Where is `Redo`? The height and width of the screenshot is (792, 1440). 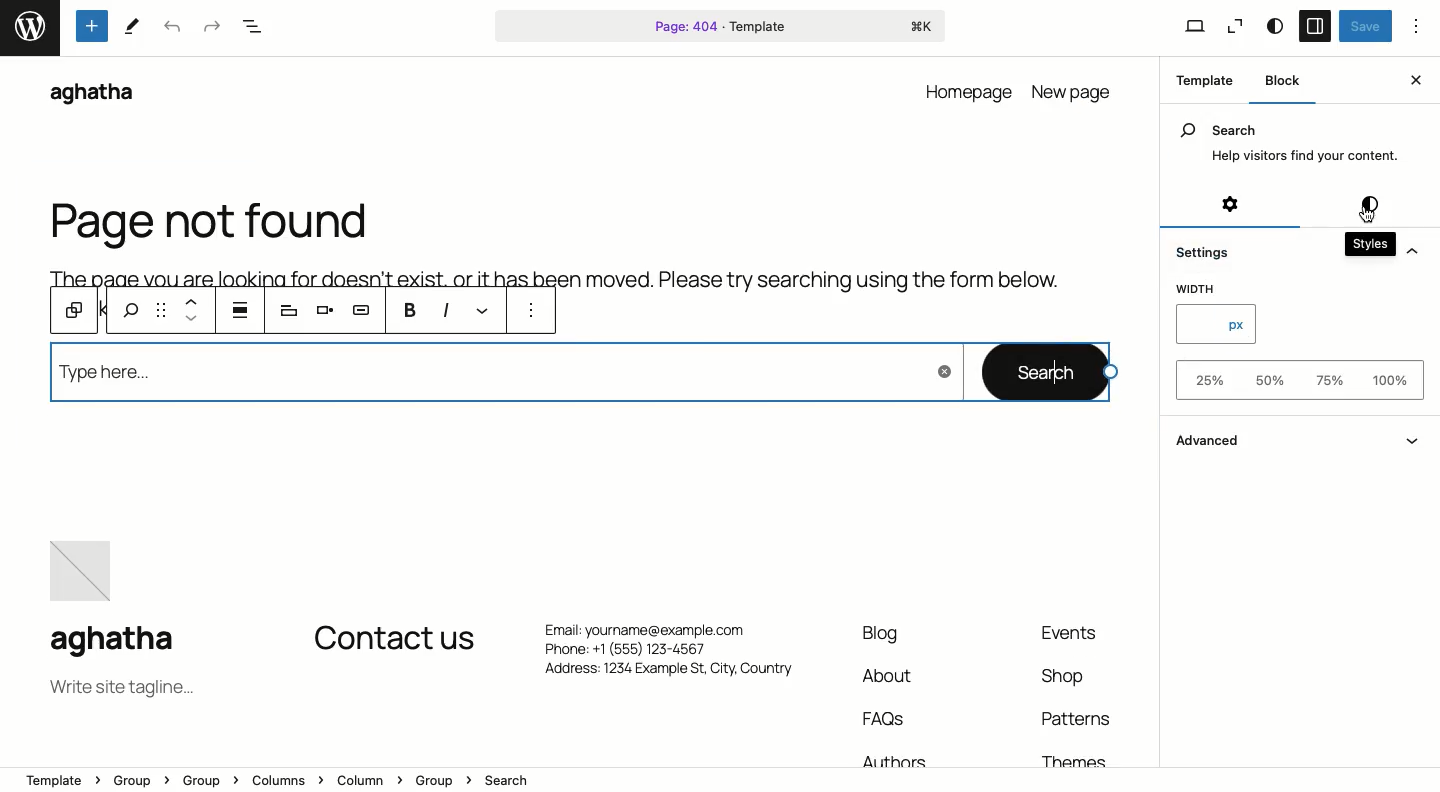 Redo is located at coordinates (209, 27).